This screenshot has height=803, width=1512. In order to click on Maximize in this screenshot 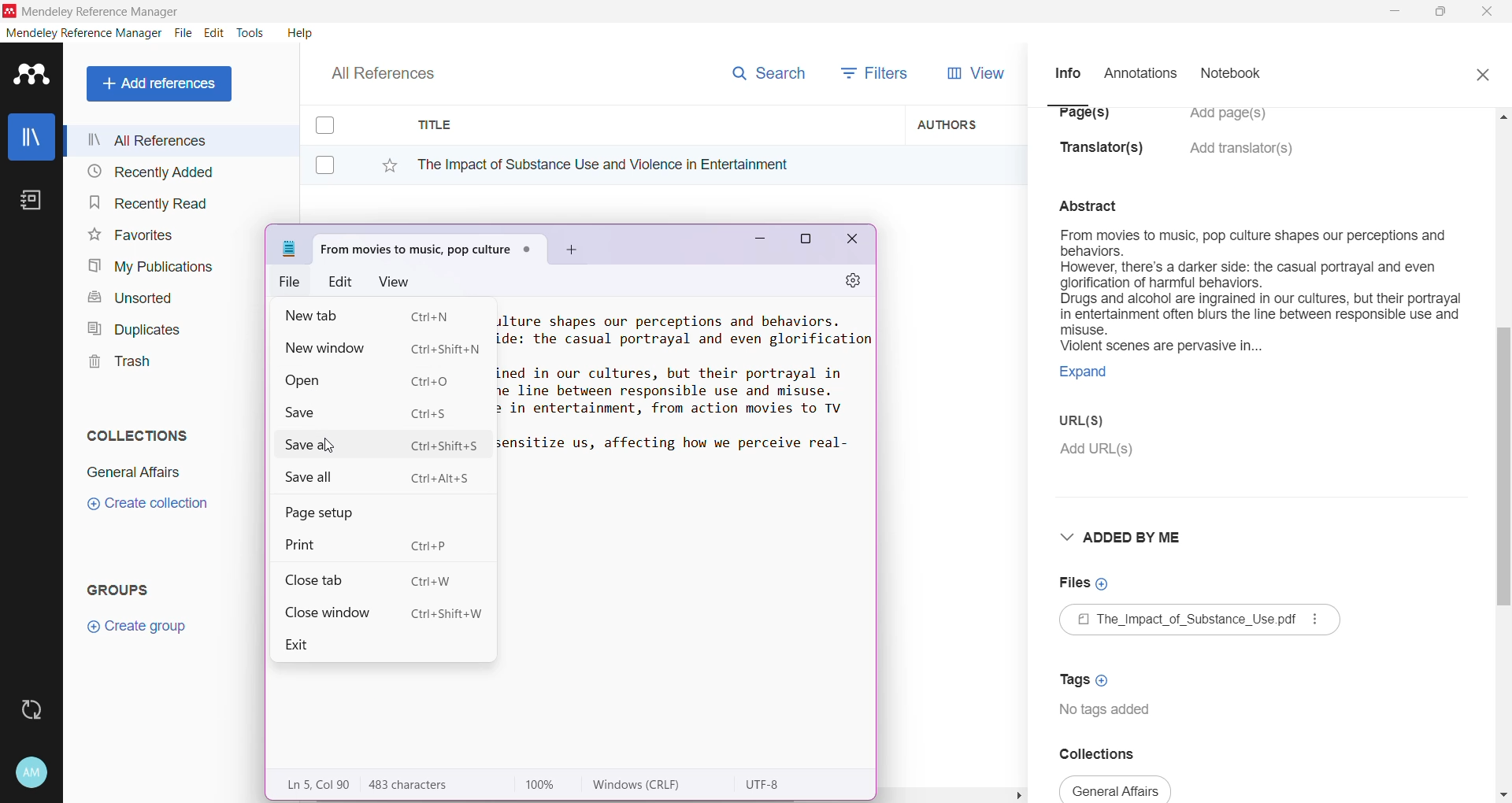, I will do `click(806, 242)`.